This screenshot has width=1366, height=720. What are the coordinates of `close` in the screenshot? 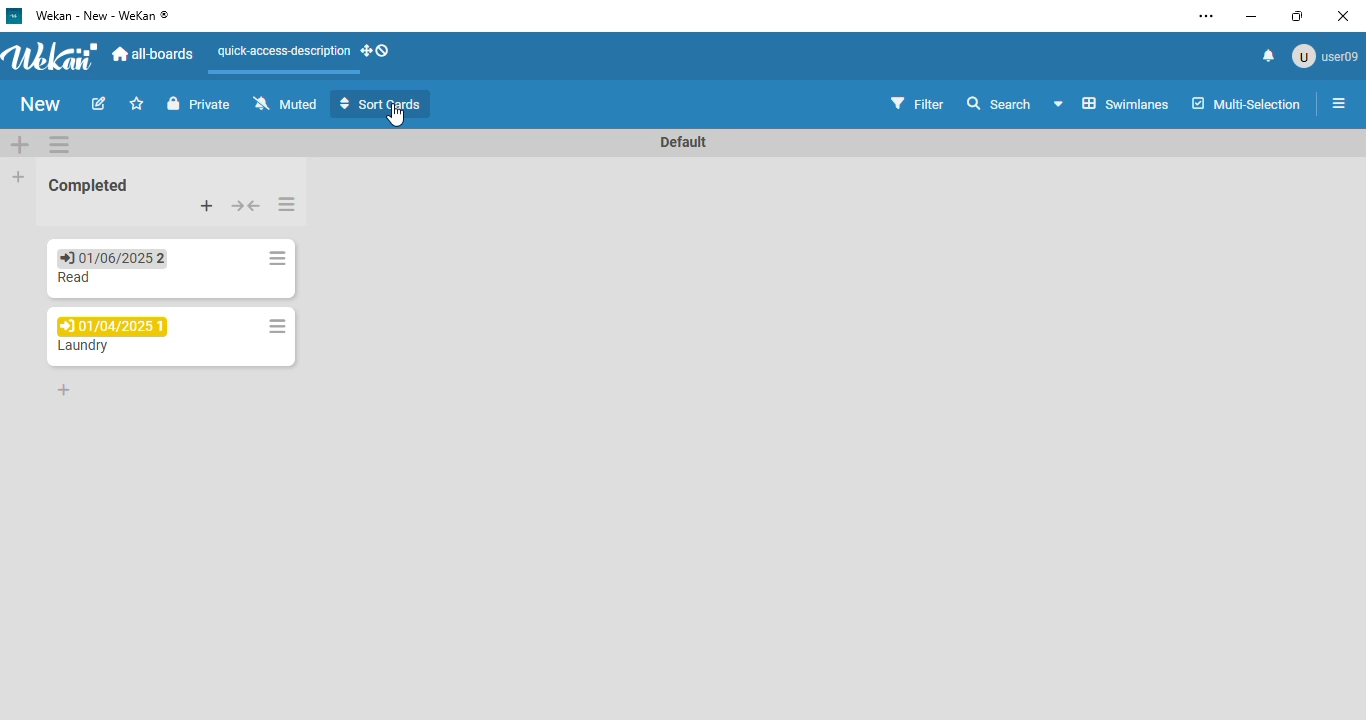 It's located at (1343, 16).